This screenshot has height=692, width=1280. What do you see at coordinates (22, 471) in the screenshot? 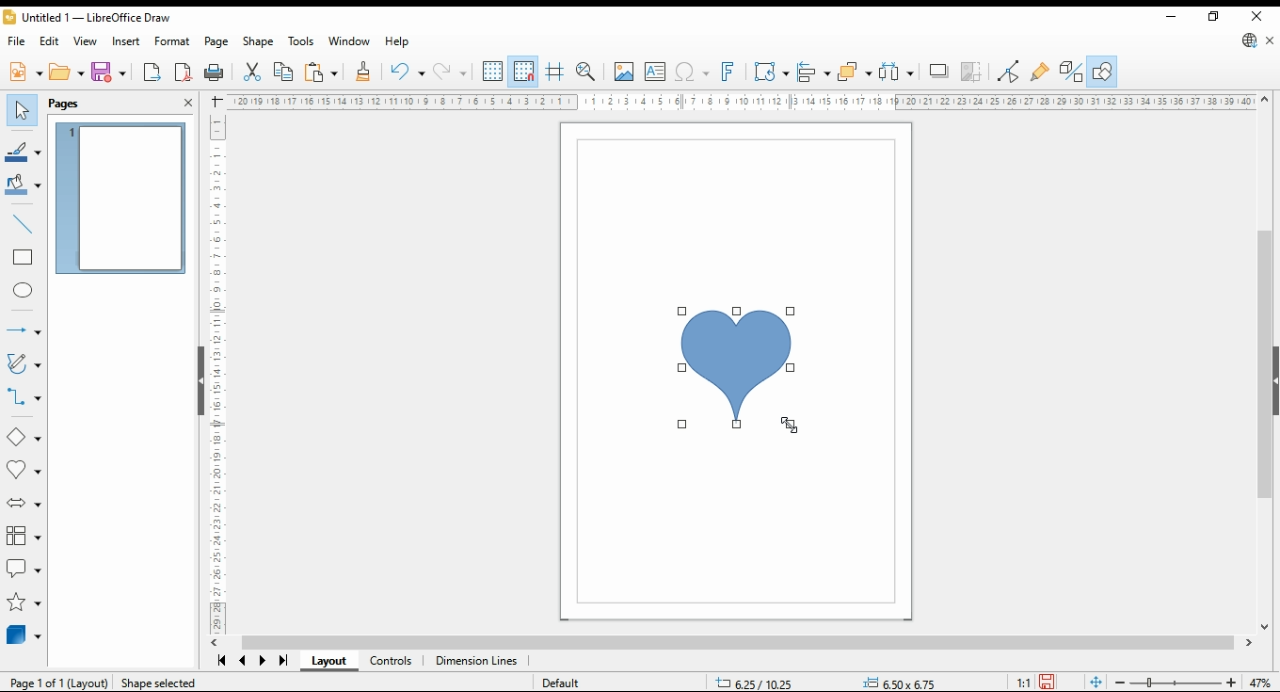
I see `symbol shapes` at bounding box center [22, 471].